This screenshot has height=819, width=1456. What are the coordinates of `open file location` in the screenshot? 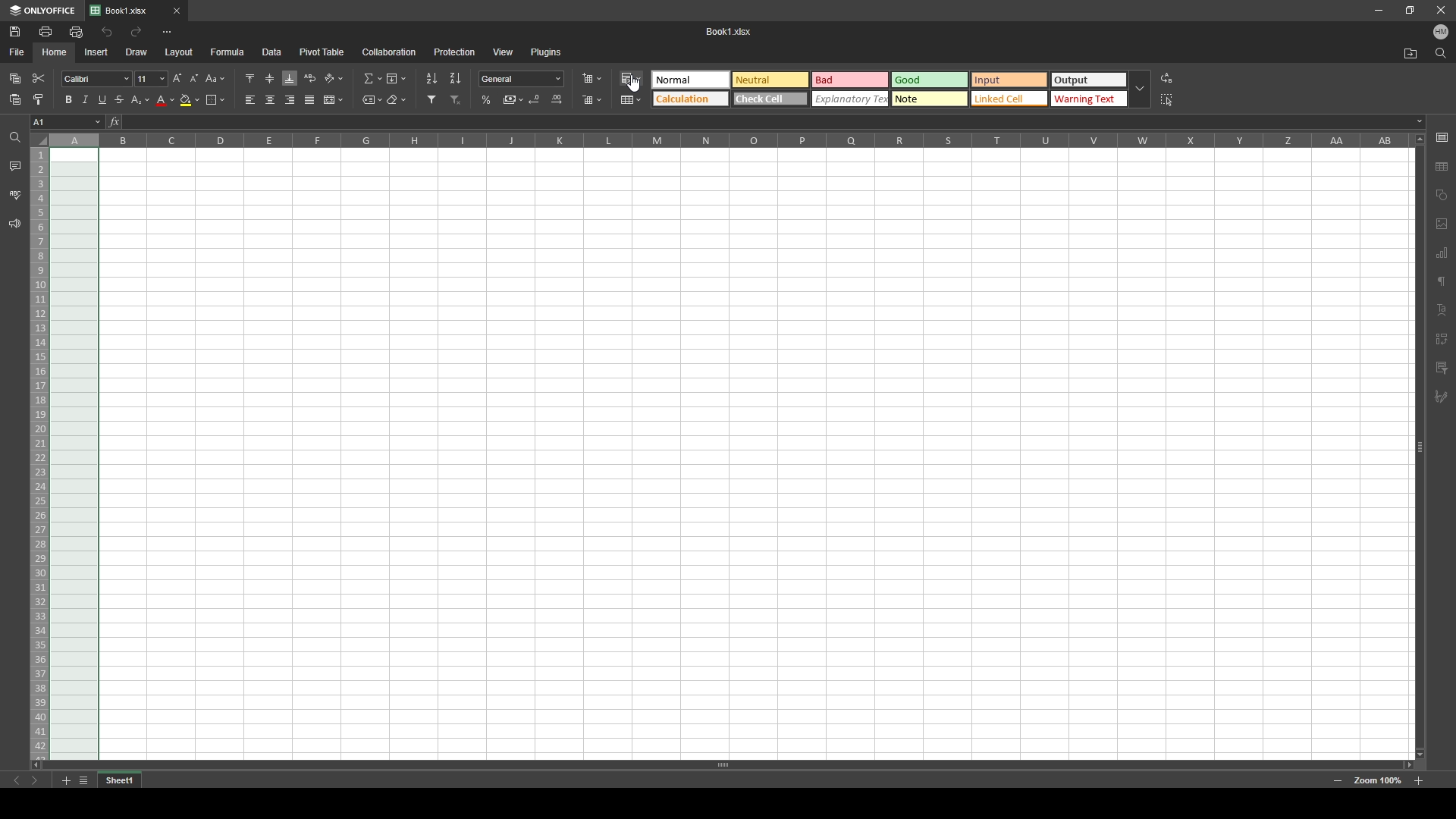 It's located at (1411, 55).